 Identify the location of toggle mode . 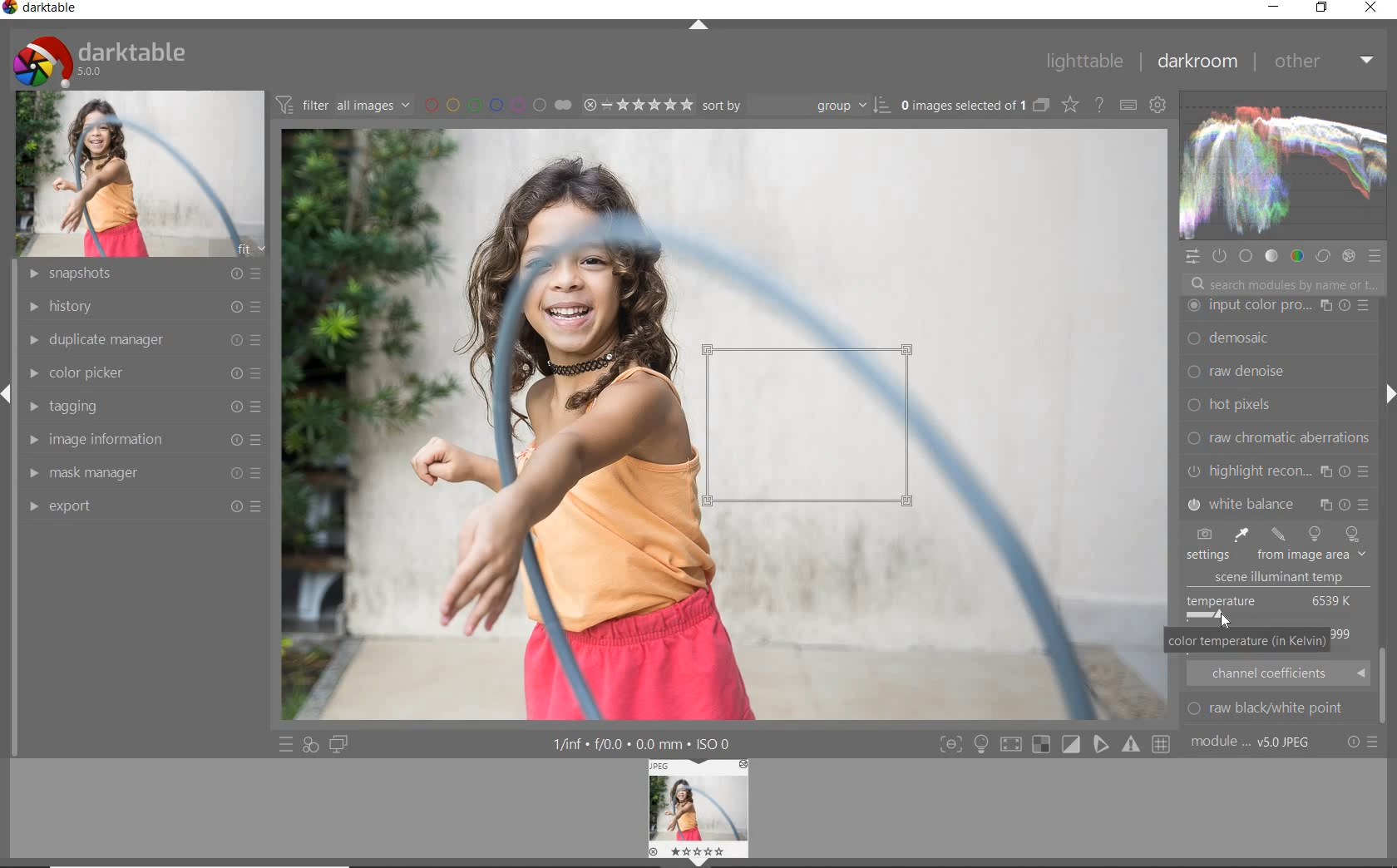
(1102, 747).